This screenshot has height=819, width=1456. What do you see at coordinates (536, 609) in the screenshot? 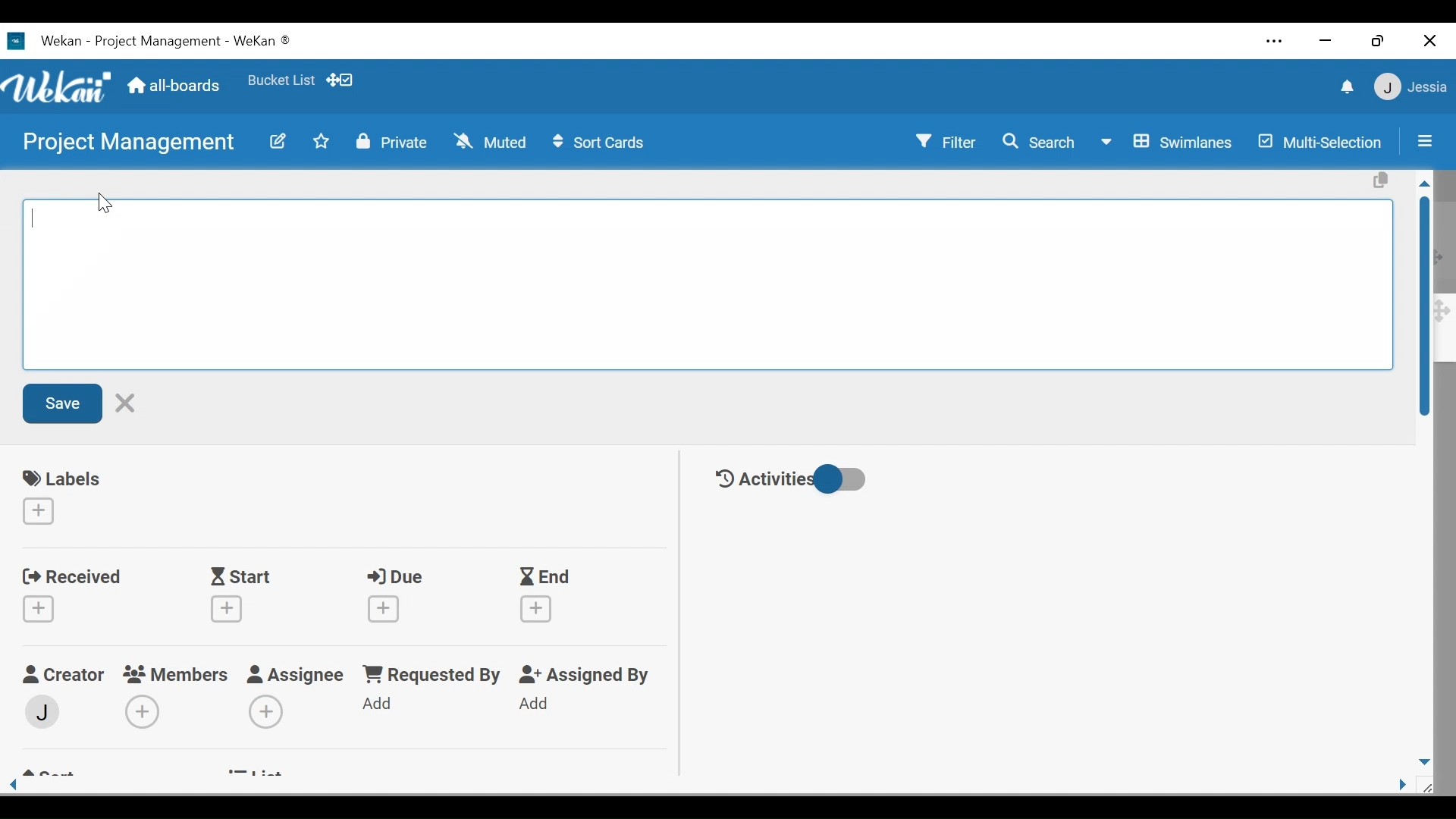
I see `Create End Date` at bounding box center [536, 609].